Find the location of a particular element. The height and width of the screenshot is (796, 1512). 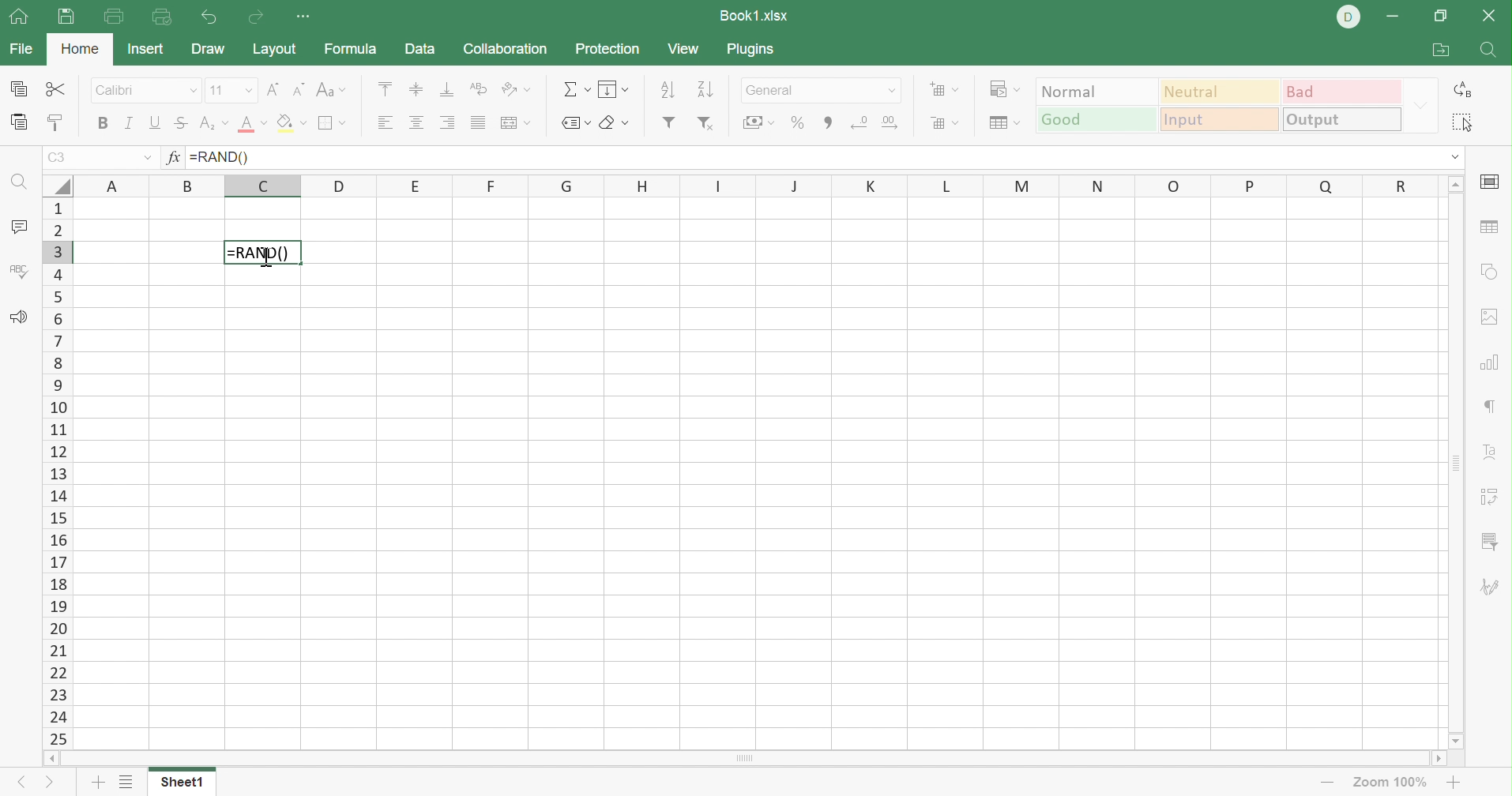

Scroll bar is located at coordinates (1453, 464).